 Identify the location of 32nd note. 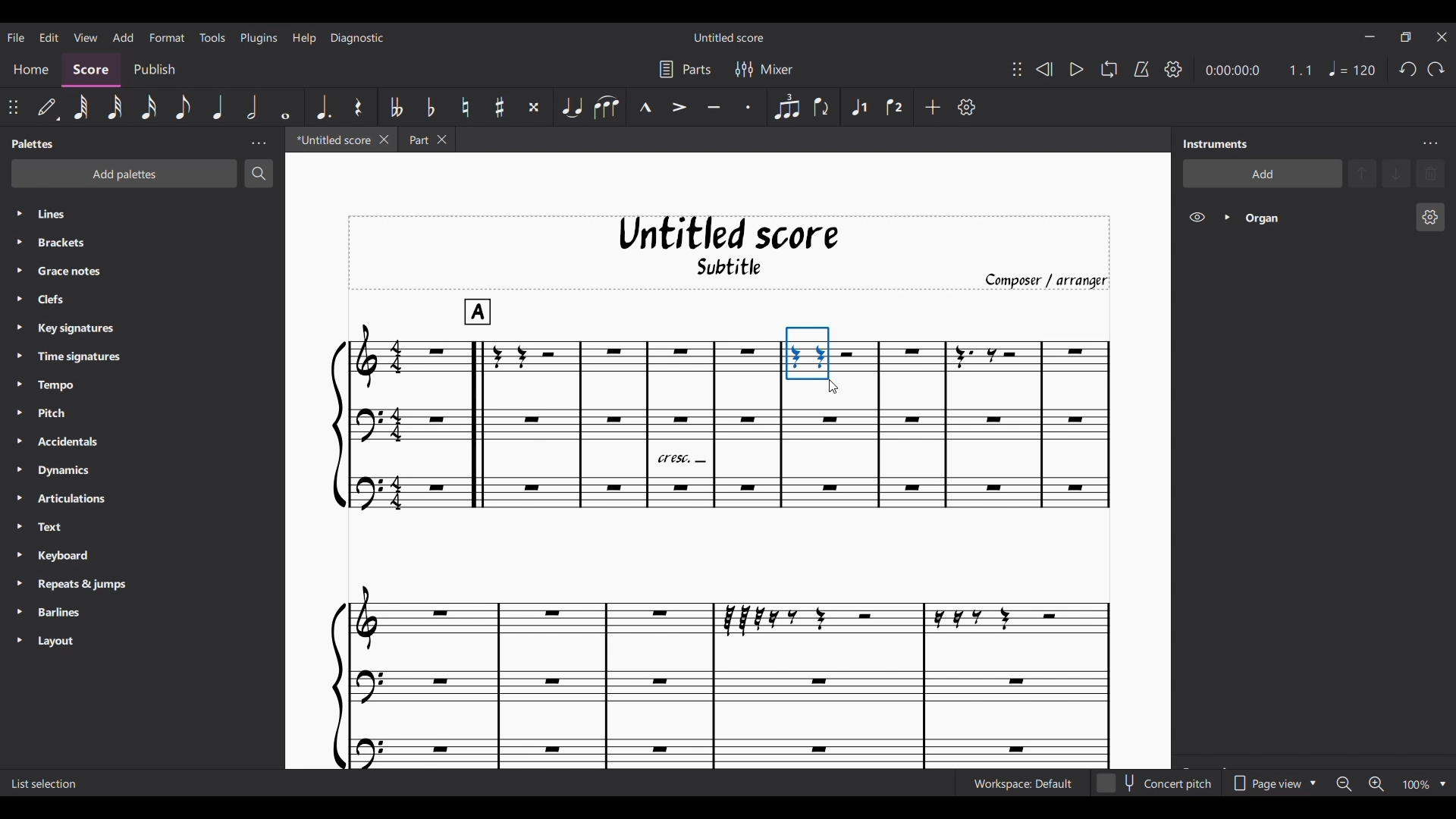
(115, 108).